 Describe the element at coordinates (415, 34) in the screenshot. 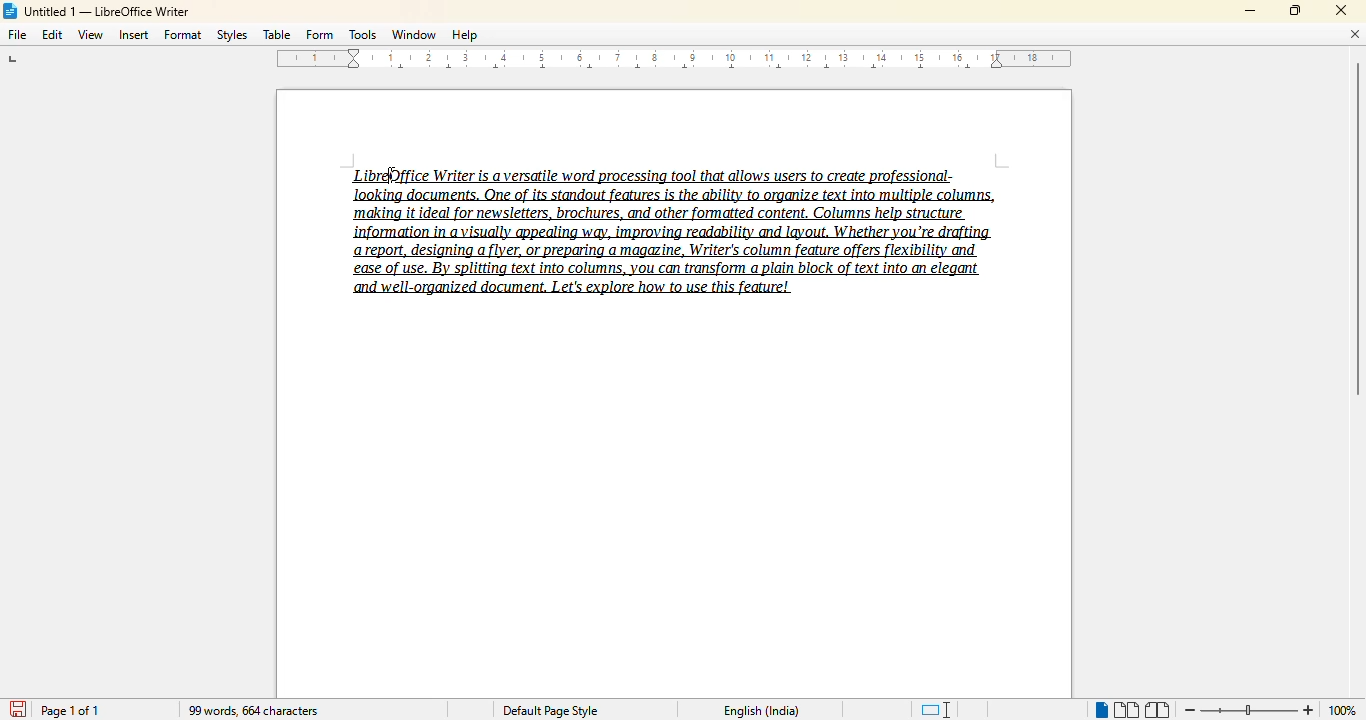

I see `window` at that location.